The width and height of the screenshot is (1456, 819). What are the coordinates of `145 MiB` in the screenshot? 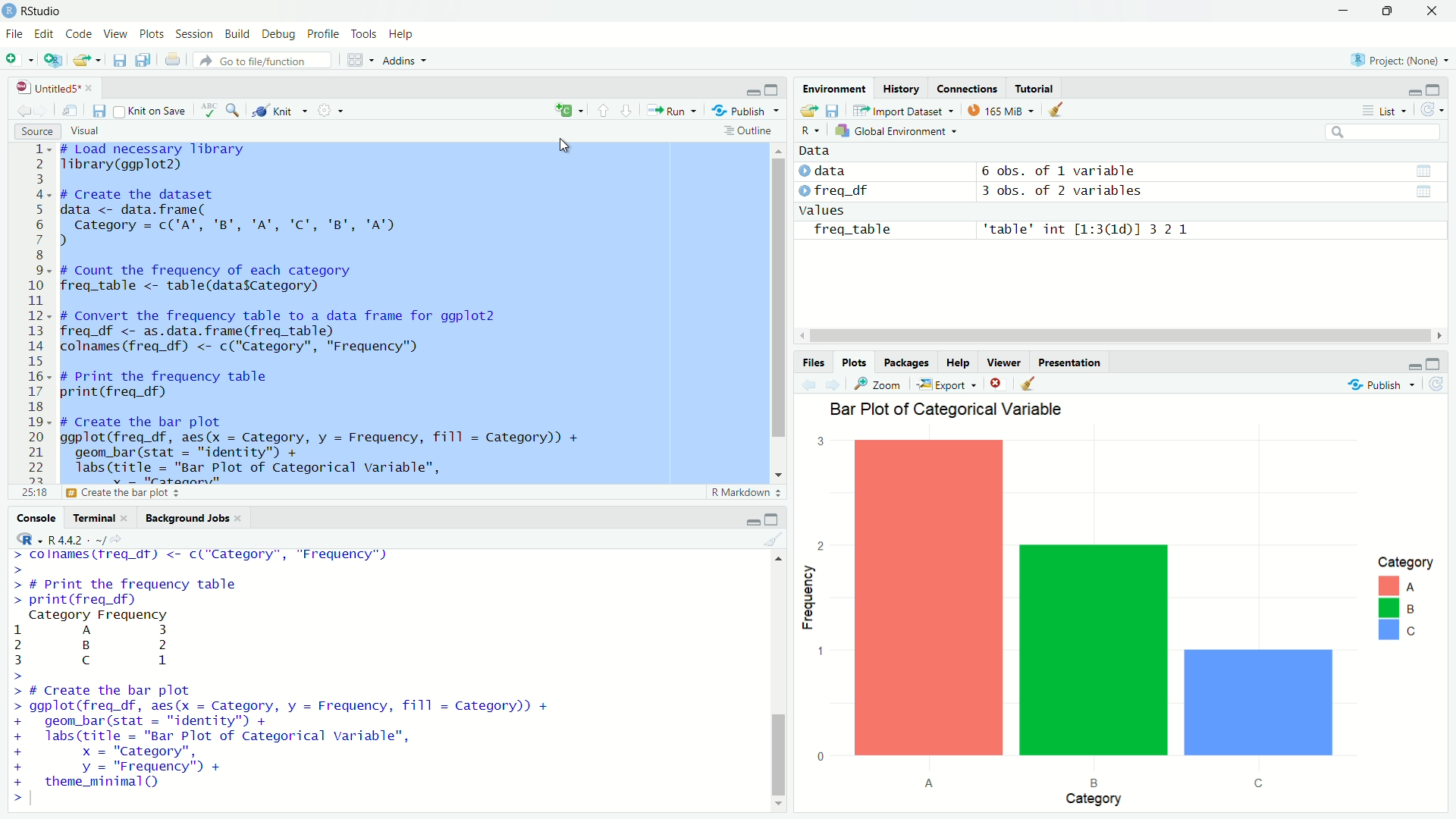 It's located at (997, 111).